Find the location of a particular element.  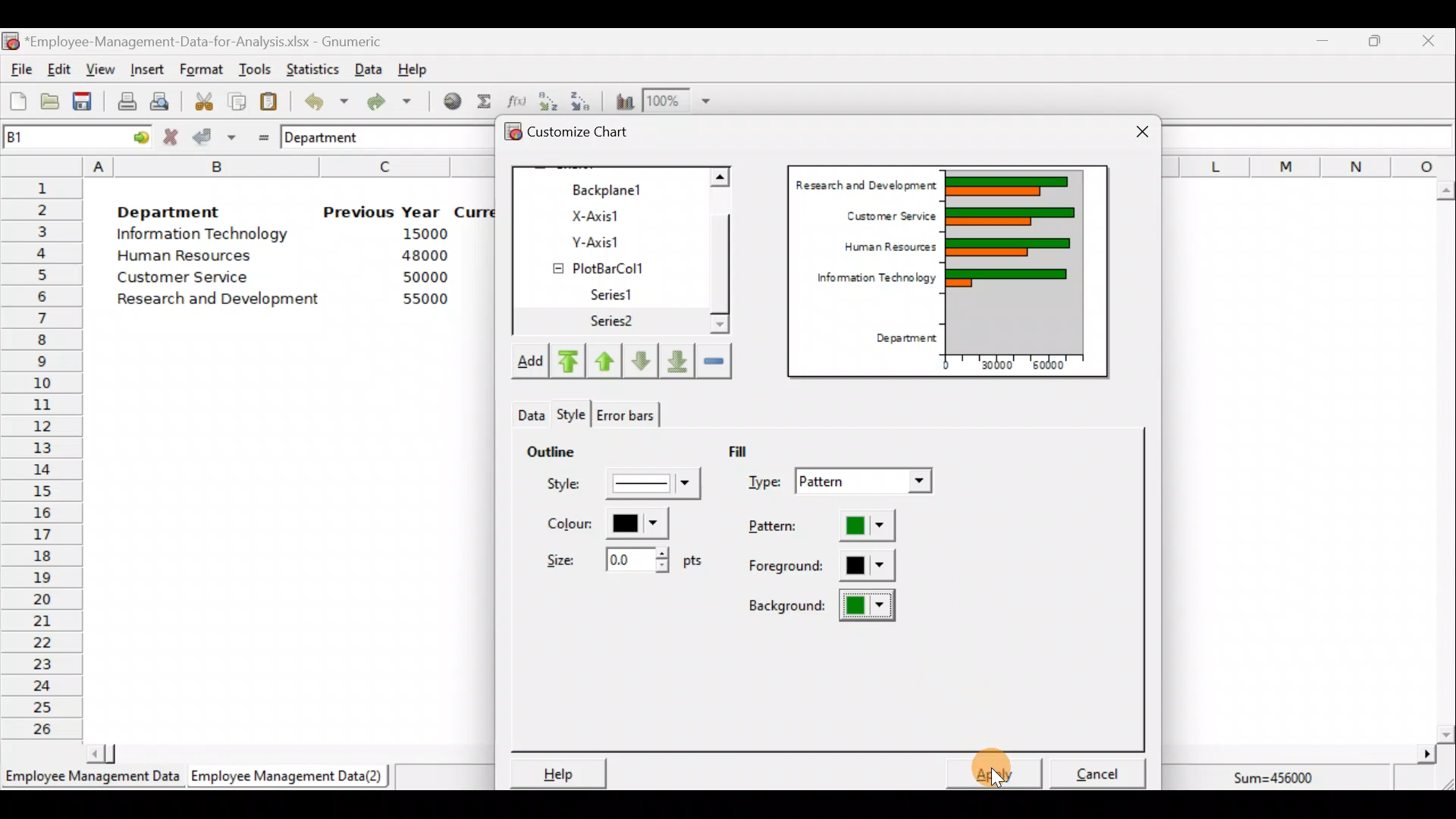

Enter formula is located at coordinates (259, 134).